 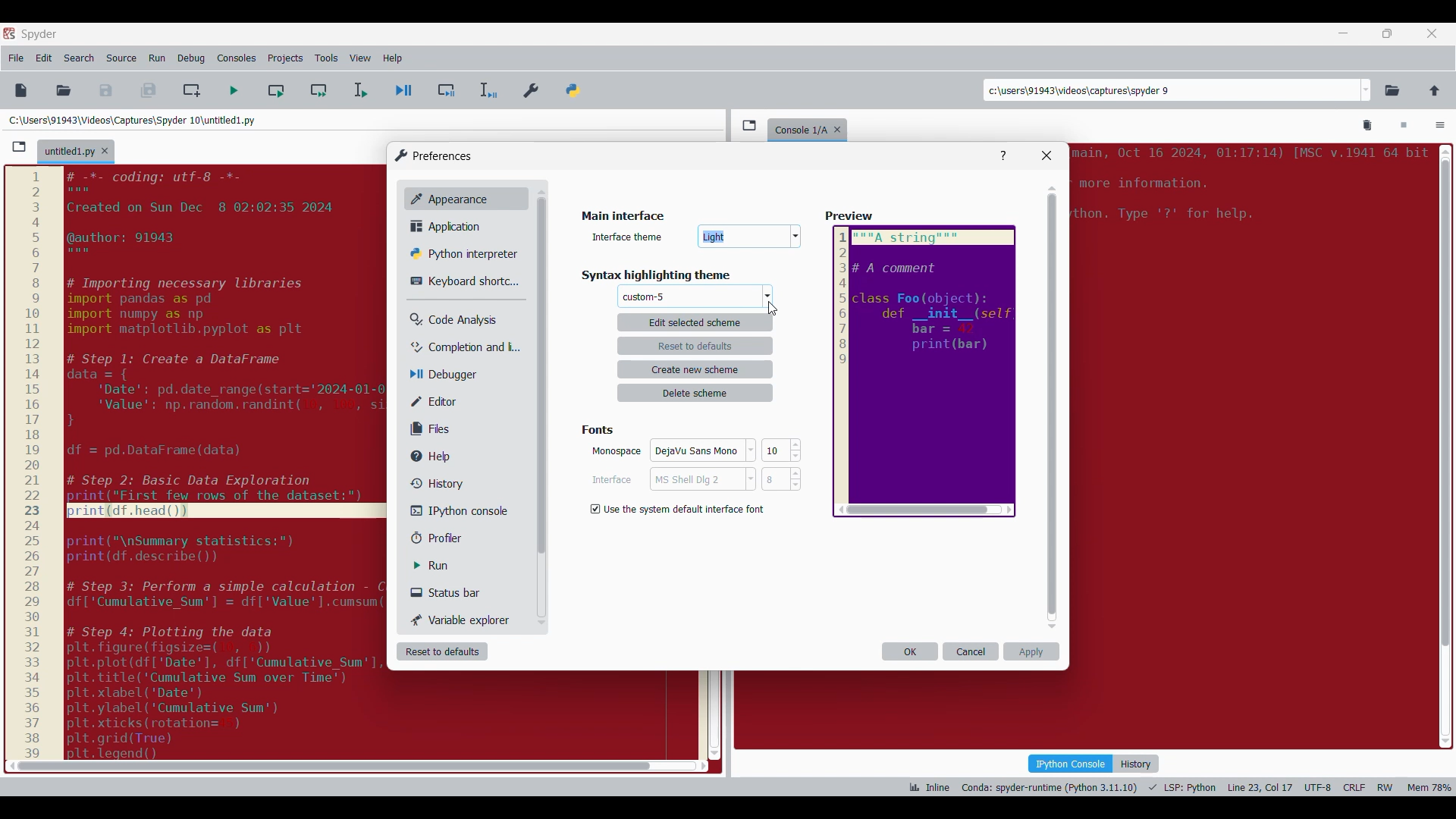 What do you see at coordinates (540, 380) in the screenshot?
I see `` at bounding box center [540, 380].